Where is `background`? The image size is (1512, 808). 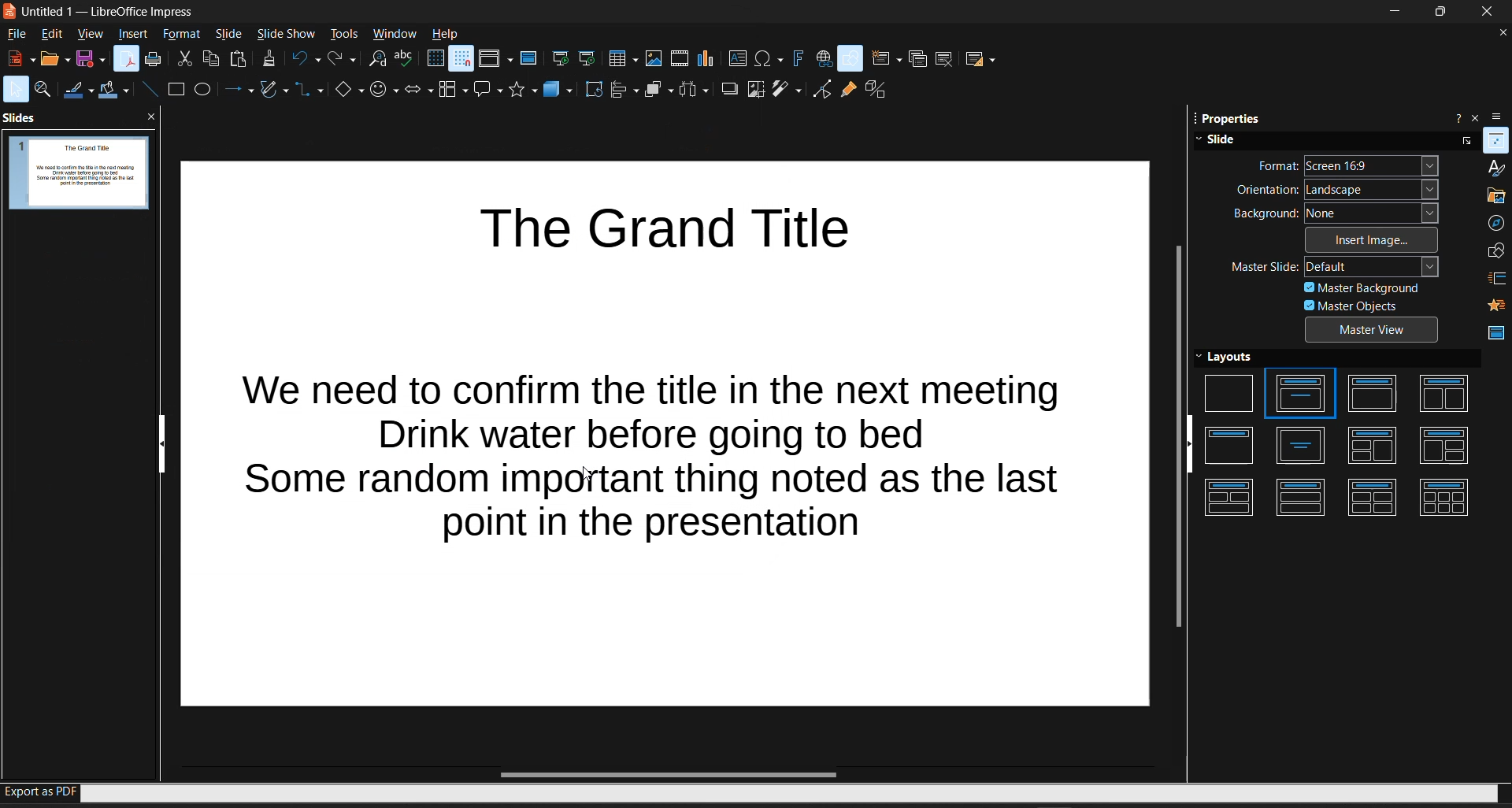 background is located at coordinates (1337, 213).